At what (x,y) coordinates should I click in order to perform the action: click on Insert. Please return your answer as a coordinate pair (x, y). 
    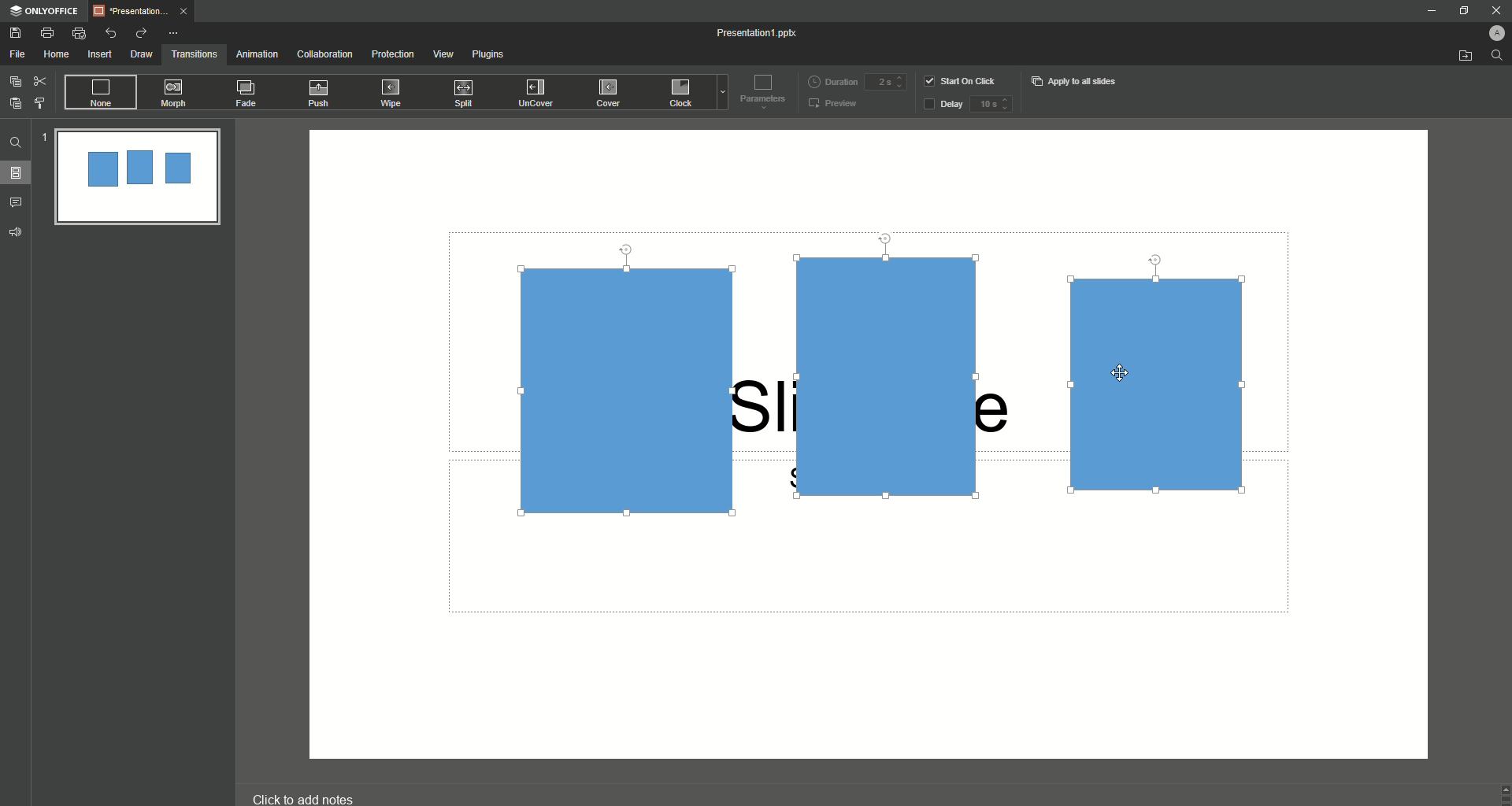
    Looking at the image, I should click on (99, 55).